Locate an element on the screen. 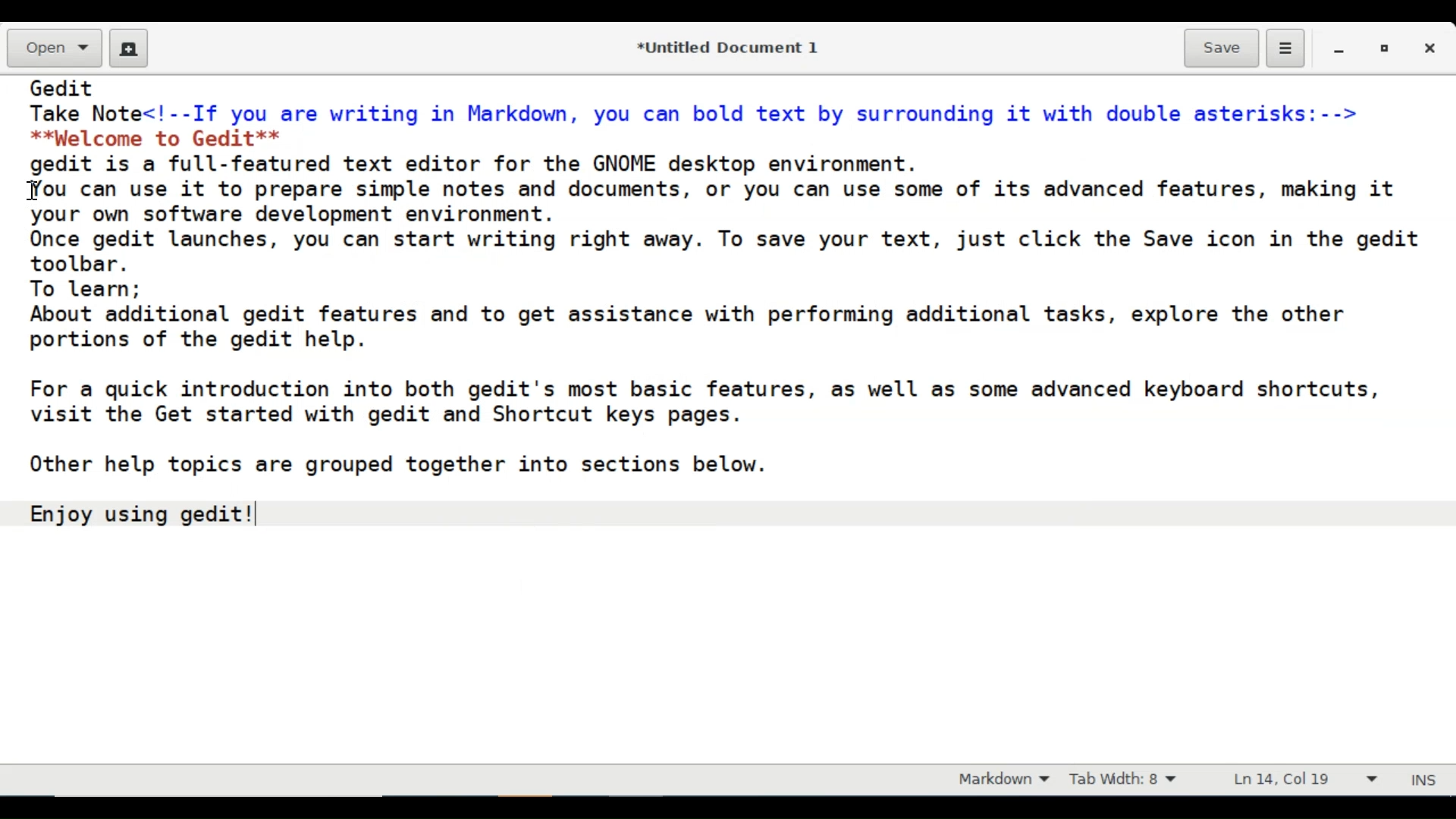 The height and width of the screenshot is (819, 1456). Insertion cursor is located at coordinates (31, 192).